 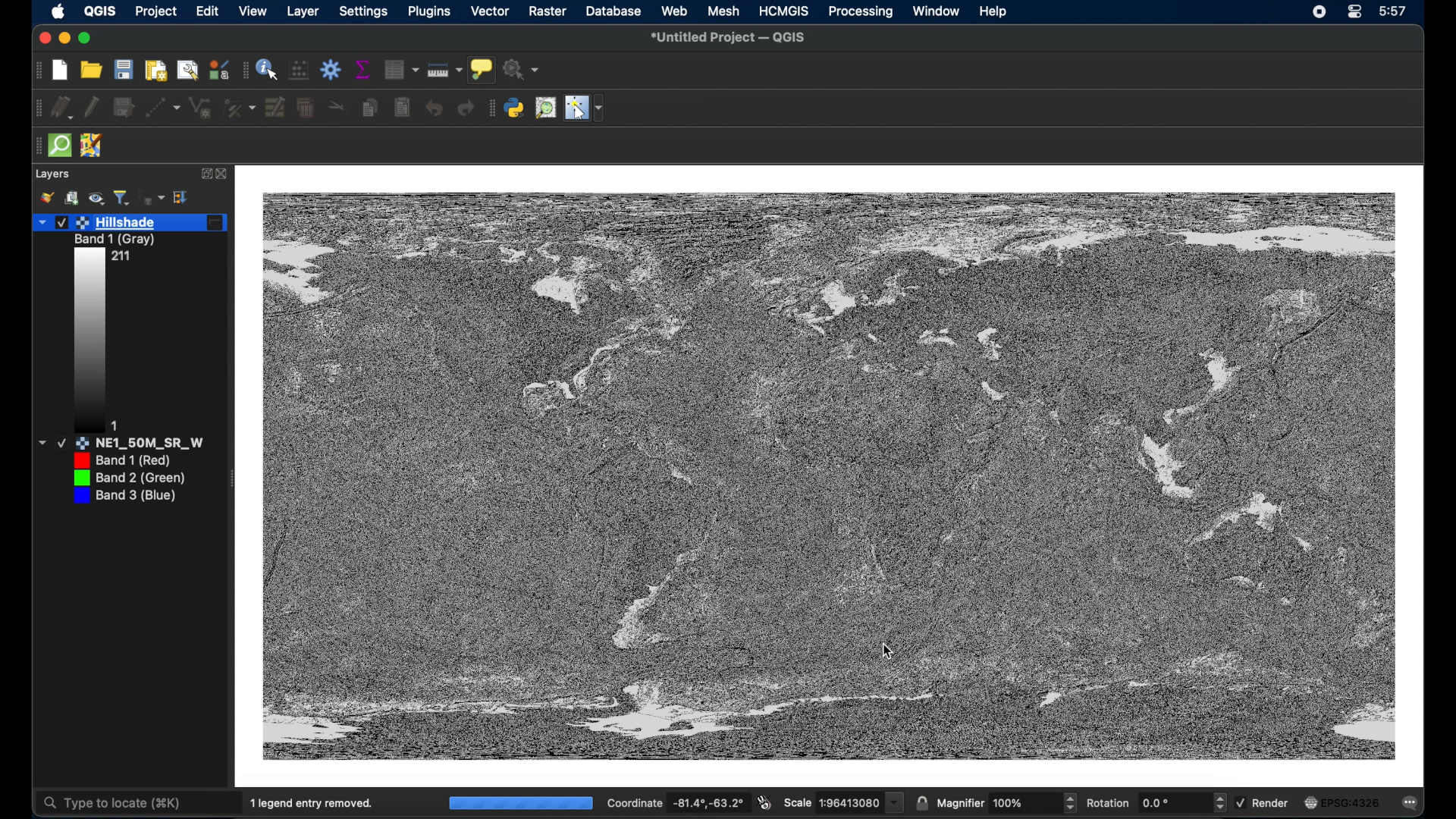 What do you see at coordinates (130, 223) in the screenshot?
I see `layer1` at bounding box center [130, 223].